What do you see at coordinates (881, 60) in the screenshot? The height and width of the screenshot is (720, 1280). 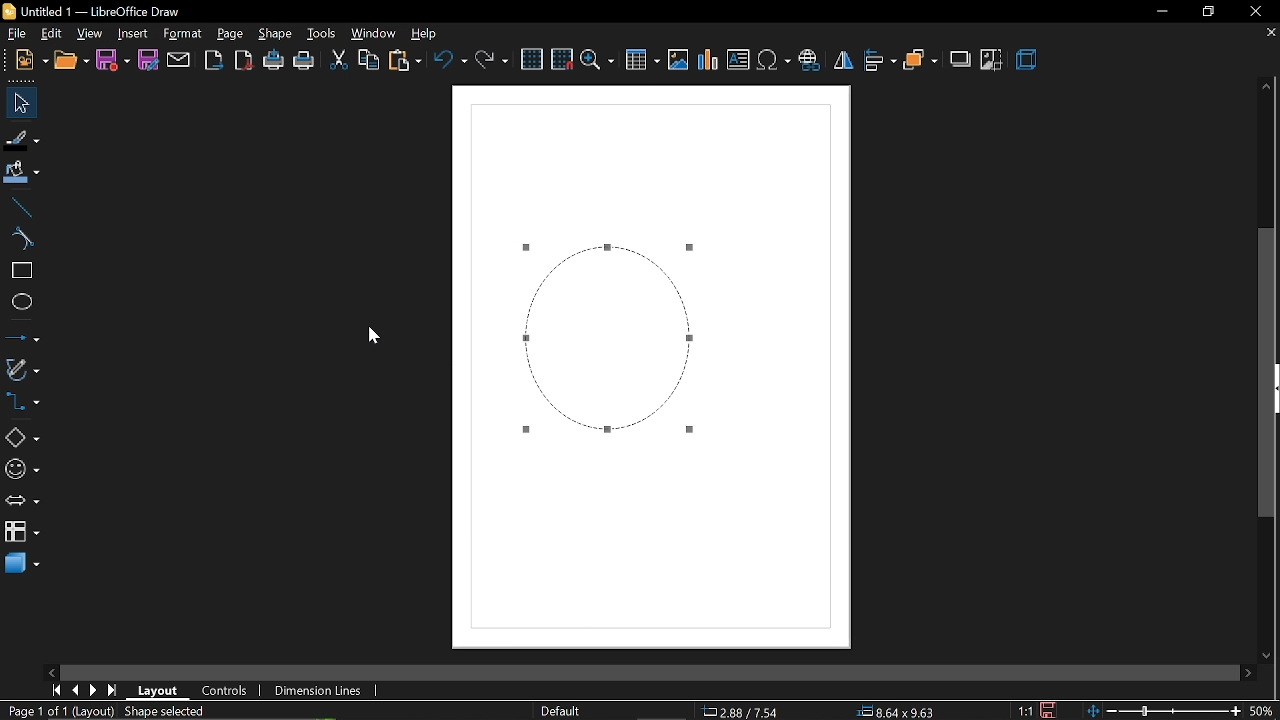 I see `align` at bounding box center [881, 60].